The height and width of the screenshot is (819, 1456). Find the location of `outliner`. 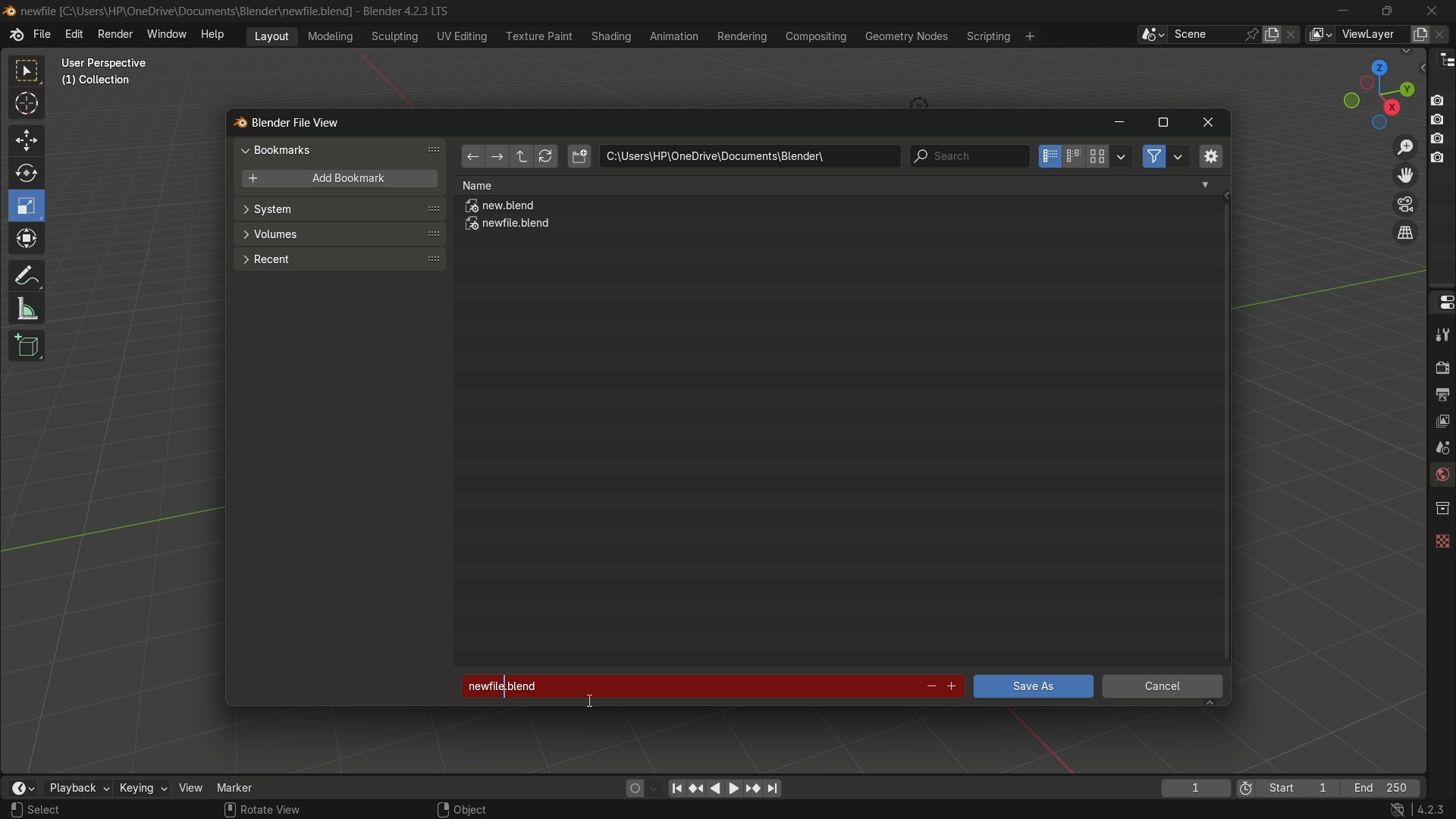

outliner is located at coordinates (1442, 59).